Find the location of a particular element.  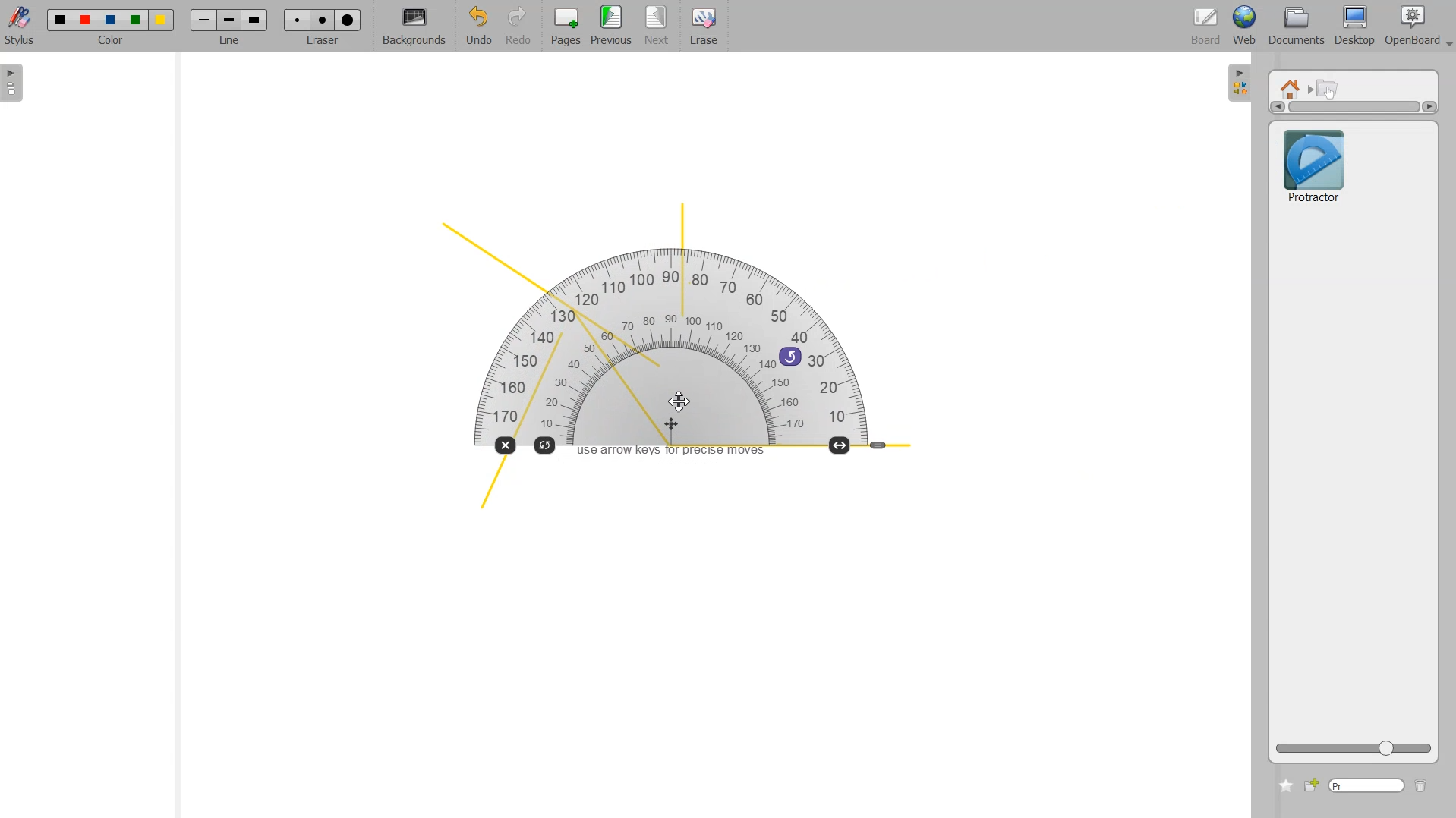

Cursor is located at coordinates (679, 401).